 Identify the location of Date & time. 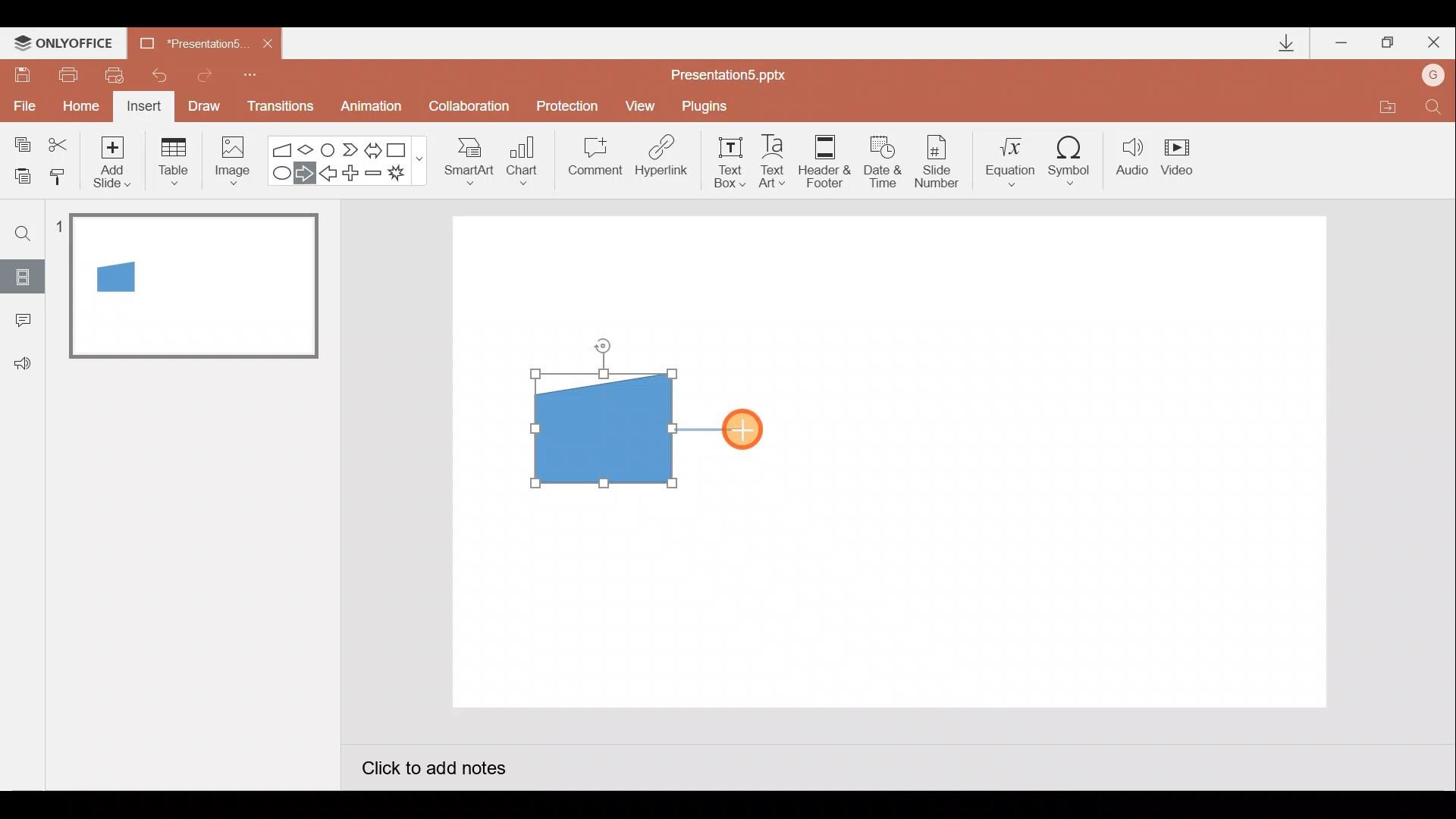
(881, 158).